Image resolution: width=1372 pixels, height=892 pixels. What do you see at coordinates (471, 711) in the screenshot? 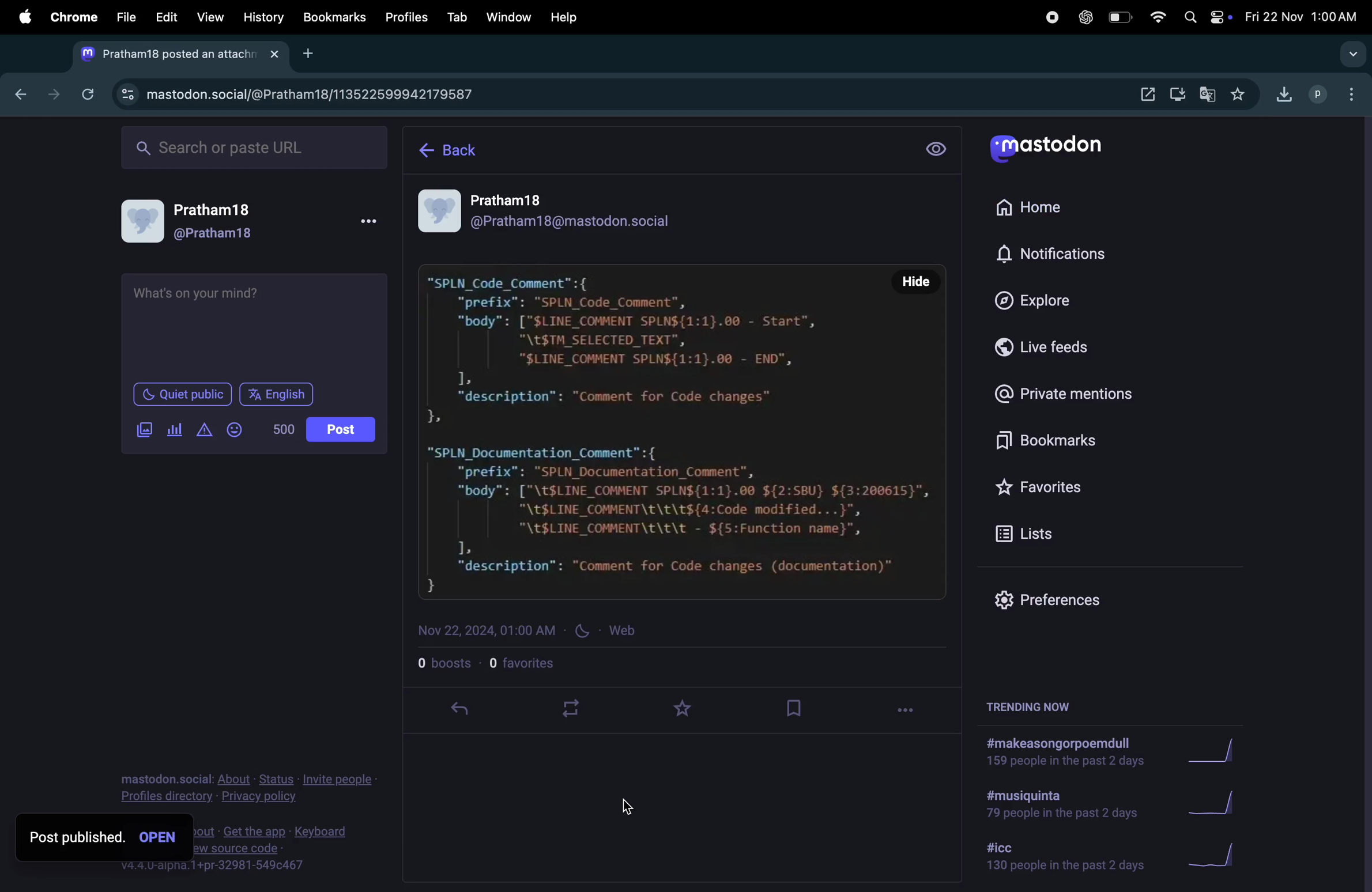
I see `reply` at bounding box center [471, 711].